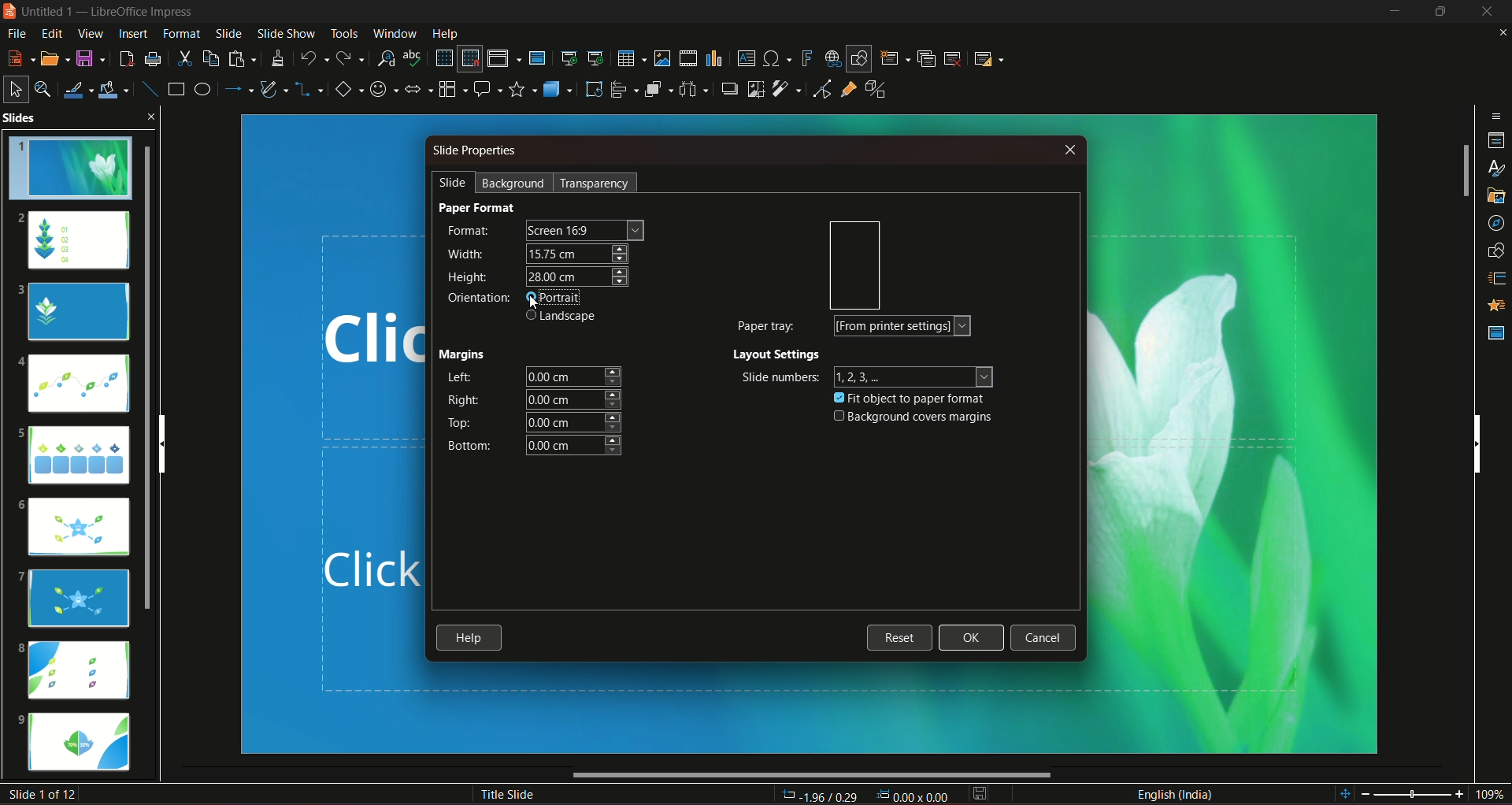  I want to click on transparency, so click(595, 183).